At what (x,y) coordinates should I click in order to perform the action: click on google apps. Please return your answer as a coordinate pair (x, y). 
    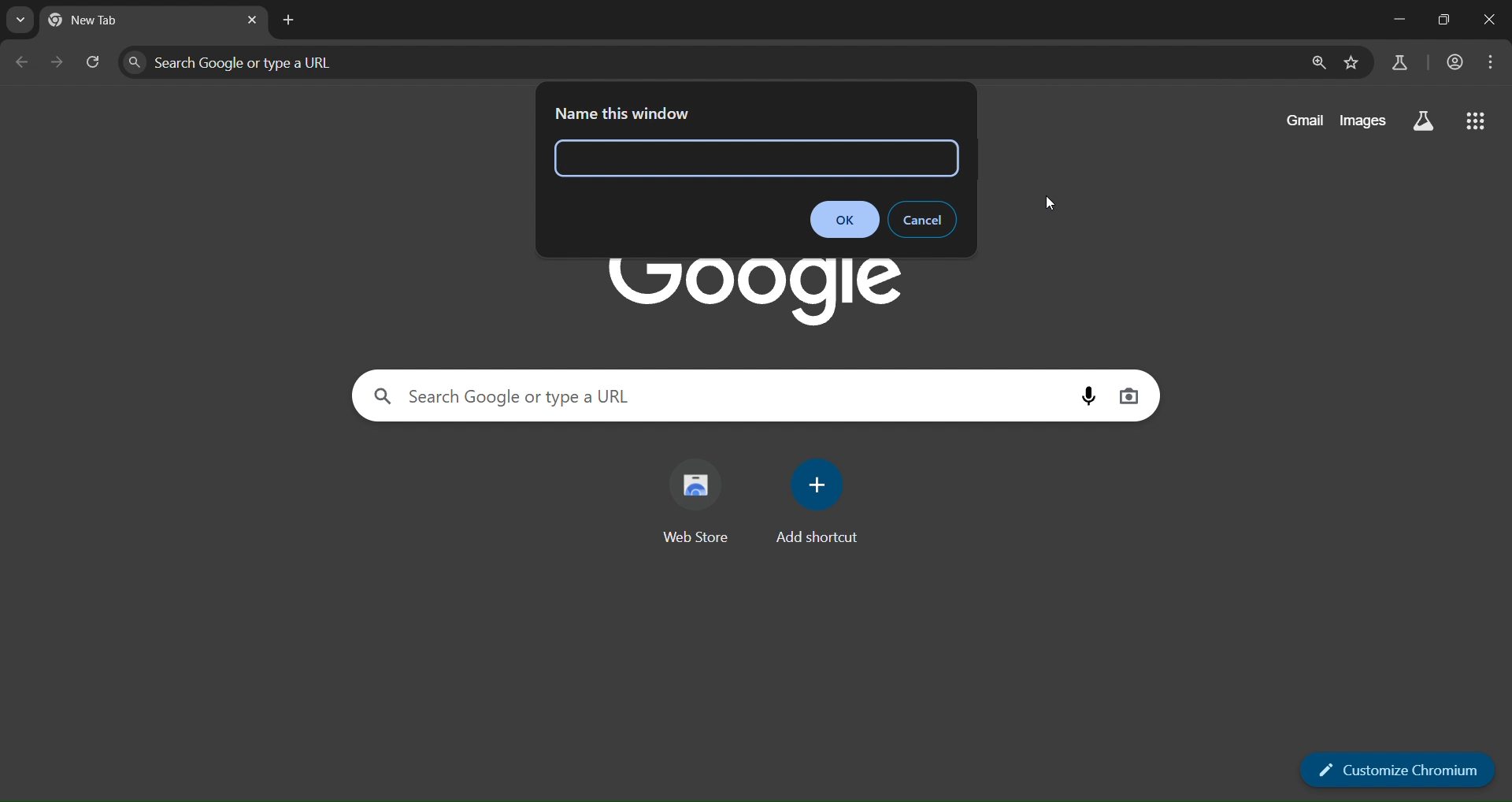
    Looking at the image, I should click on (1480, 121).